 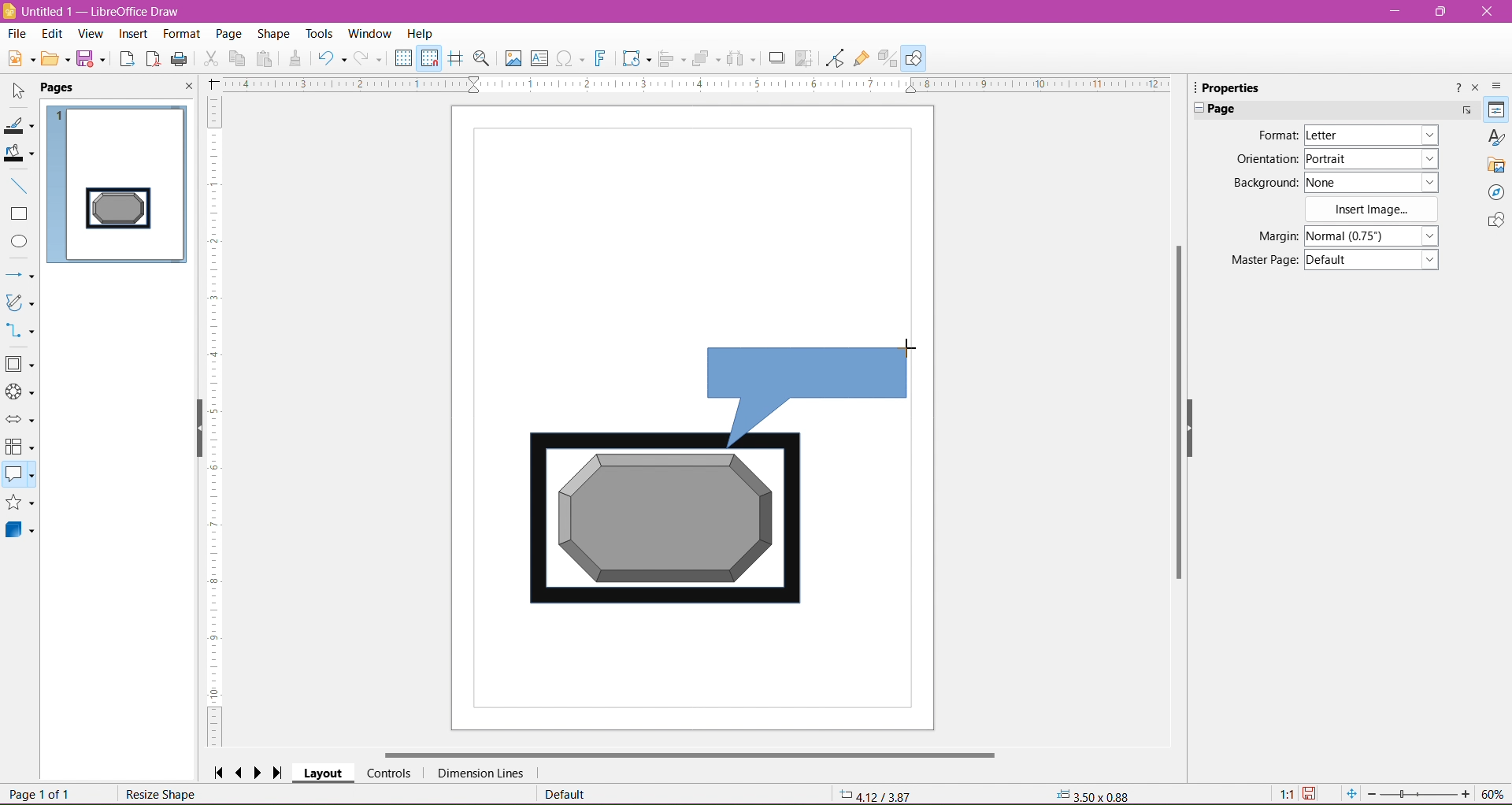 What do you see at coordinates (861, 58) in the screenshot?
I see `Show Gluepoint Functions` at bounding box center [861, 58].